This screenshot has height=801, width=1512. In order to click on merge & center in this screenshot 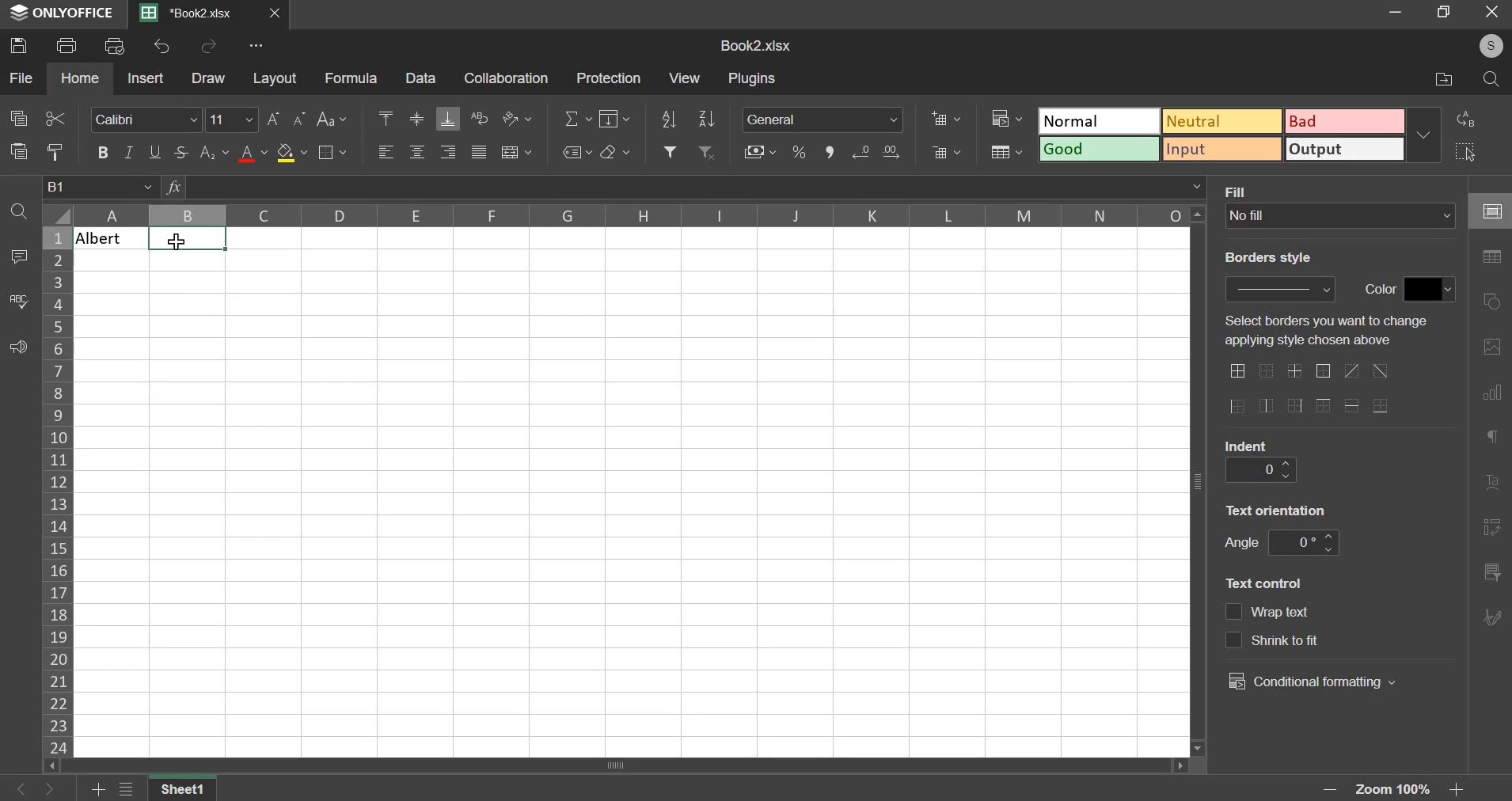, I will do `click(515, 152)`.